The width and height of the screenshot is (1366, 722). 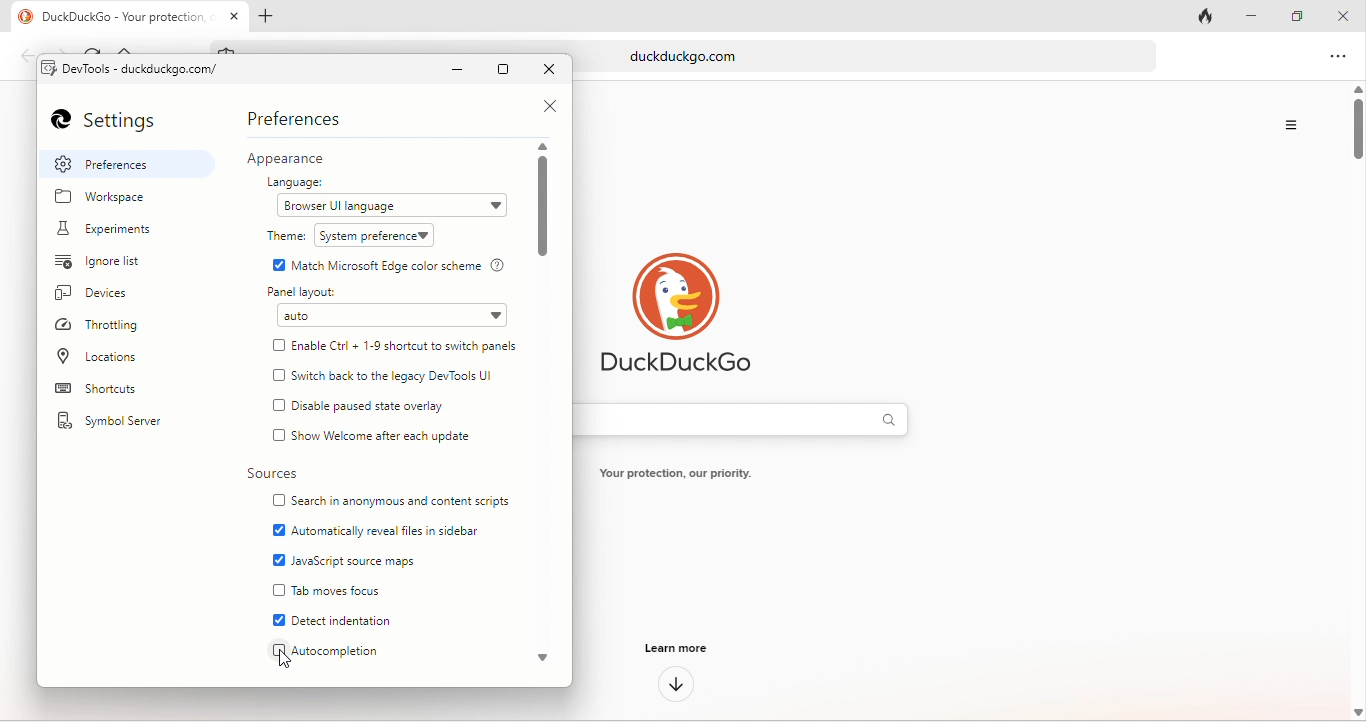 What do you see at coordinates (342, 590) in the screenshot?
I see `tab moves focus` at bounding box center [342, 590].